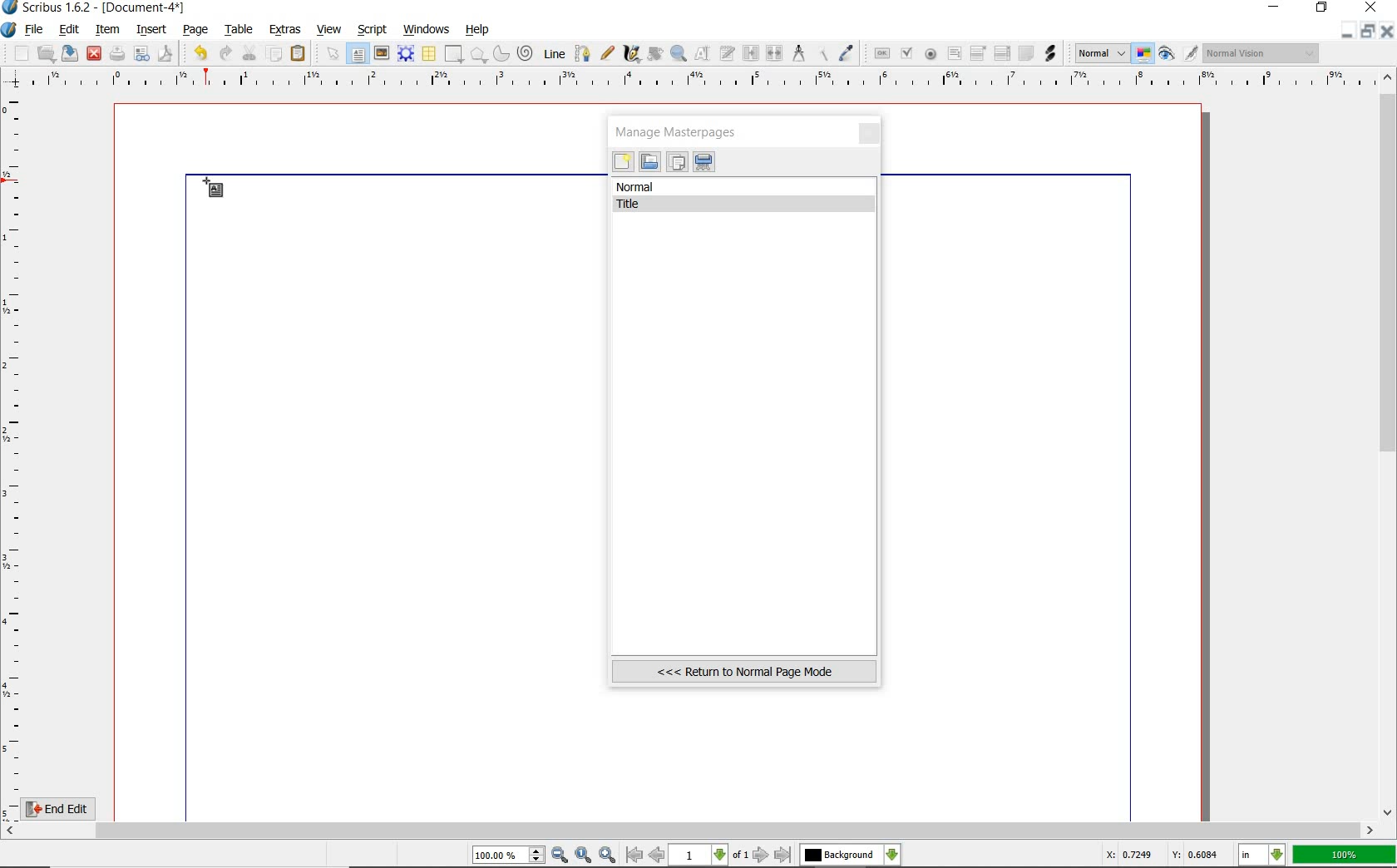 The height and width of the screenshot is (868, 1397). I want to click on view, so click(332, 30).